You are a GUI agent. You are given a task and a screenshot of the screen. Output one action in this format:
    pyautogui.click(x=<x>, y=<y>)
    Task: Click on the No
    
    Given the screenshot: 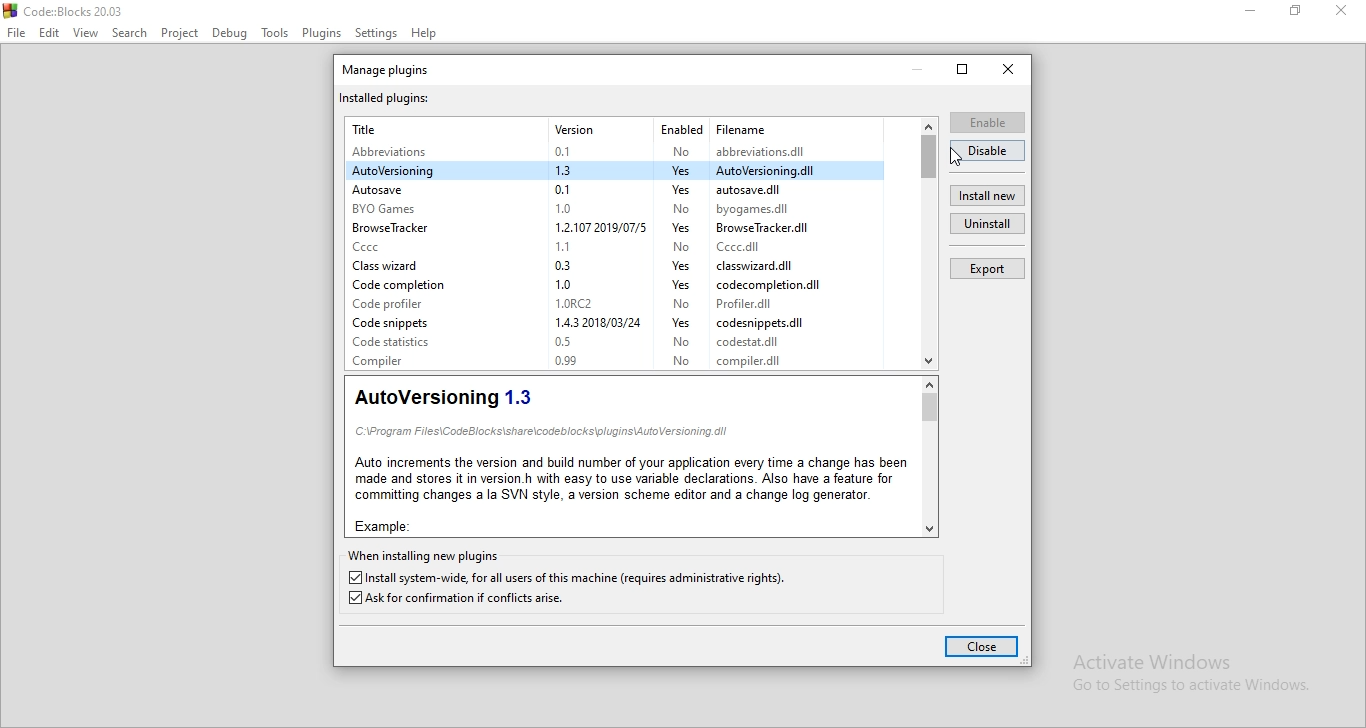 What is the action you would take?
    pyautogui.click(x=681, y=248)
    